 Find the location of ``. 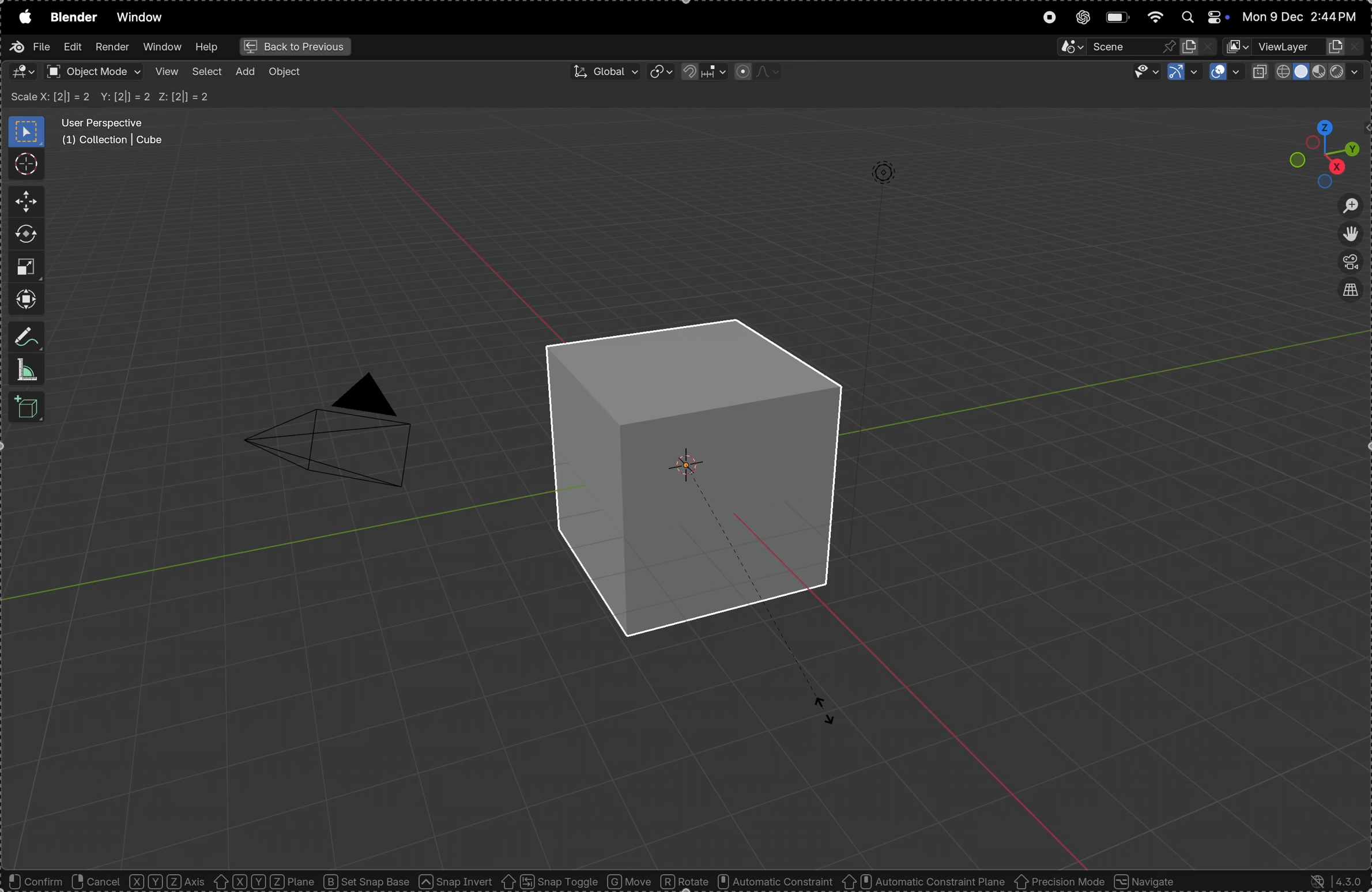

 is located at coordinates (161, 46).